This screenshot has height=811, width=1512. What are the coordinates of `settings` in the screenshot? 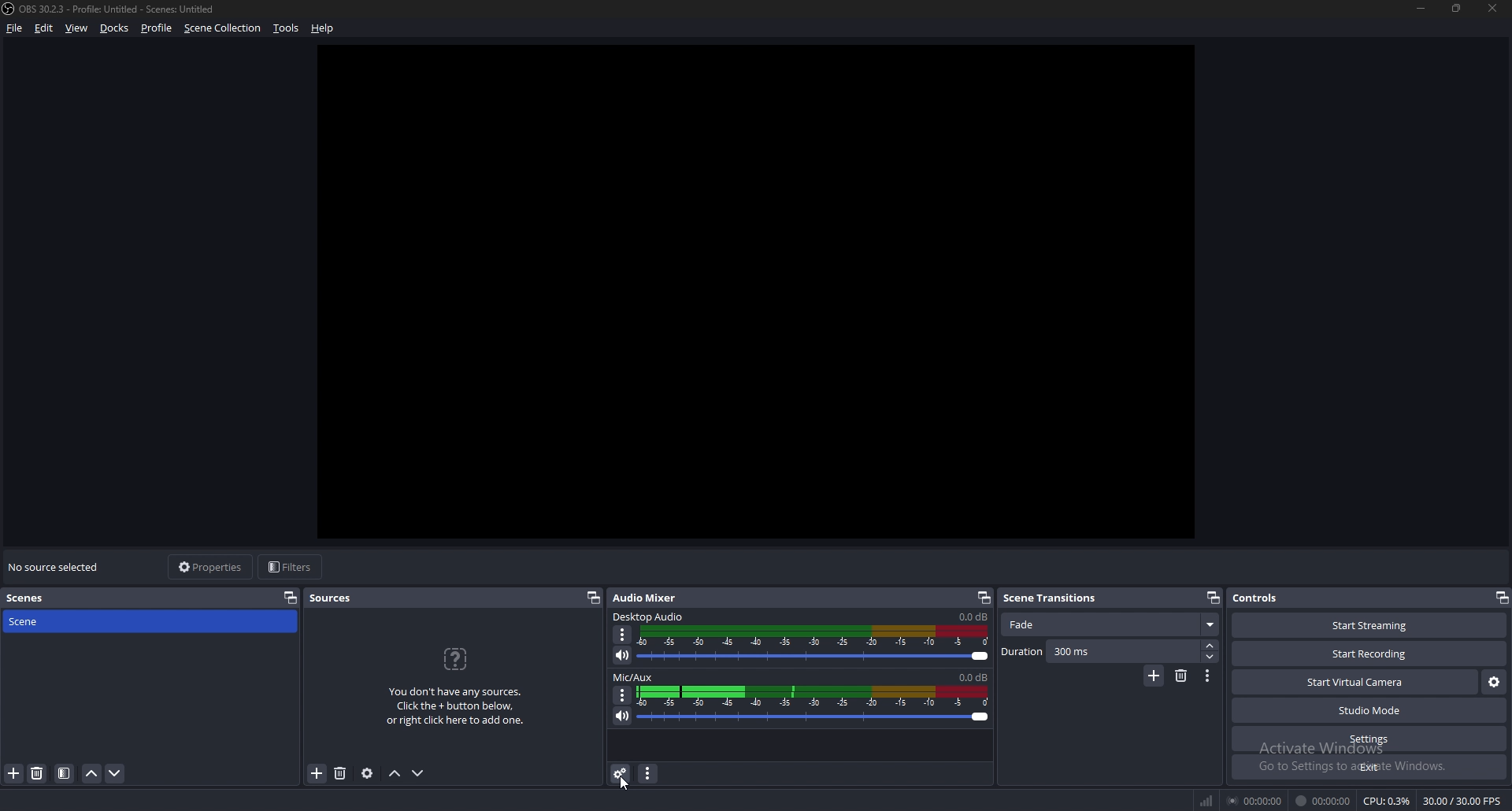 It's located at (1369, 739).